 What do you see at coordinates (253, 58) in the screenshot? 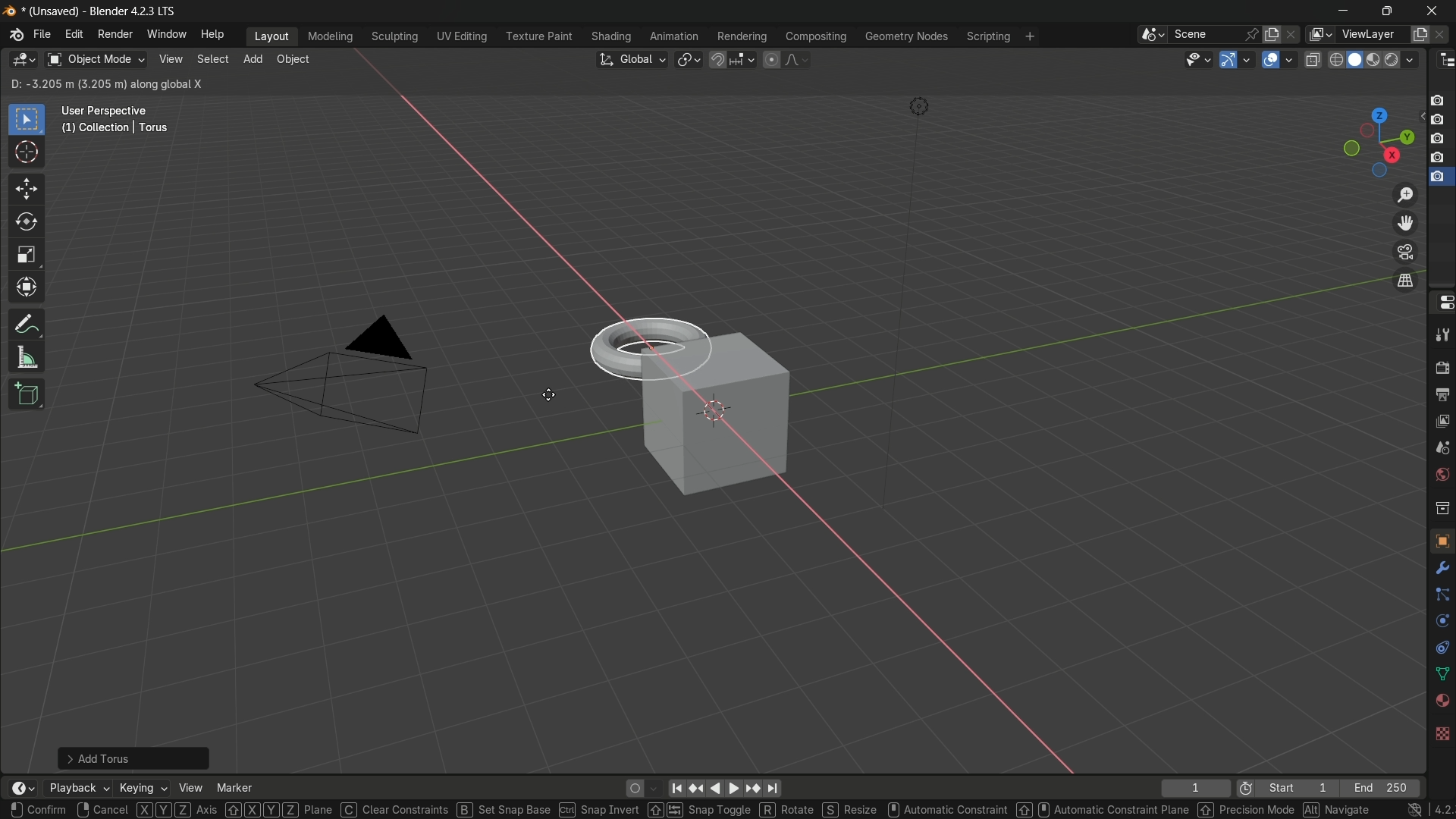
I see `add` at bounding box center [253, 58].